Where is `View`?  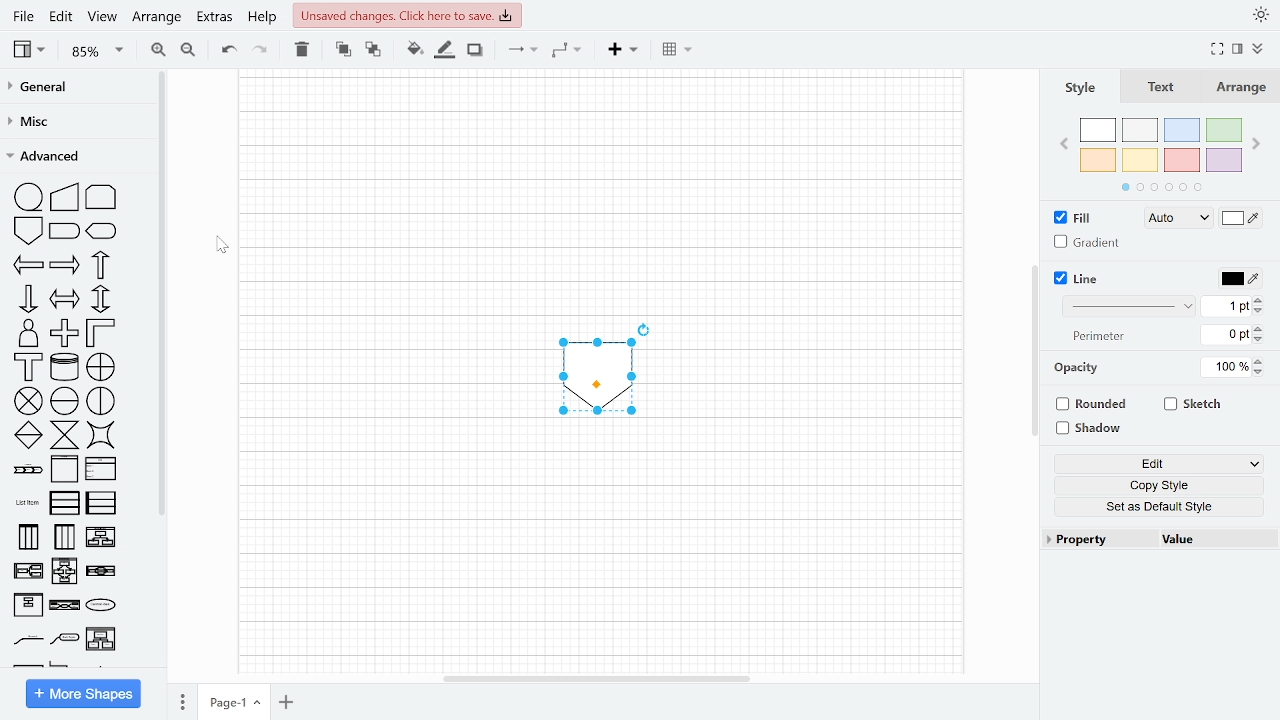 View is located at coordinates (102, 16).